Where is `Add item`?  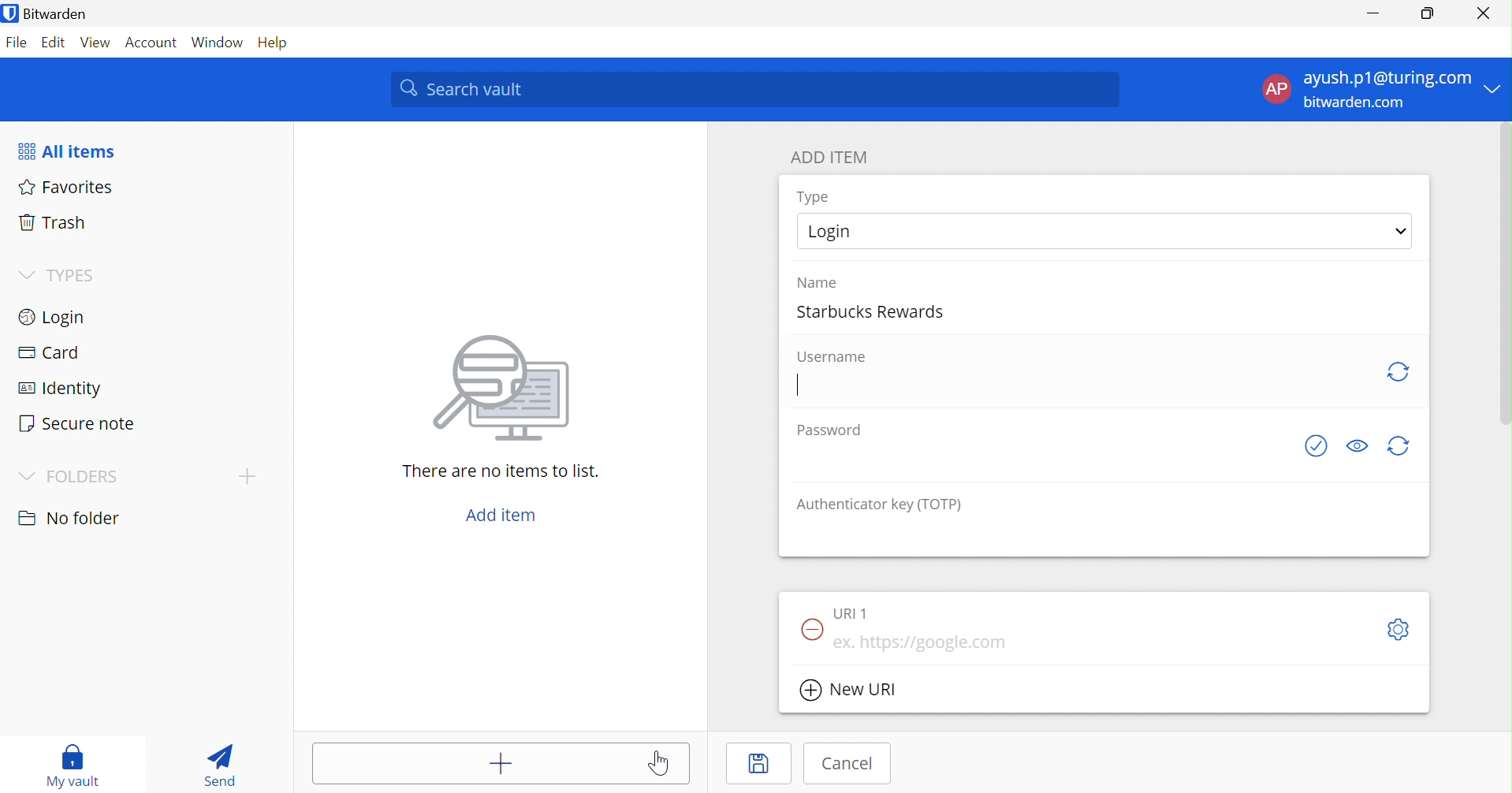
Add item is located at coordinates (473, 763).